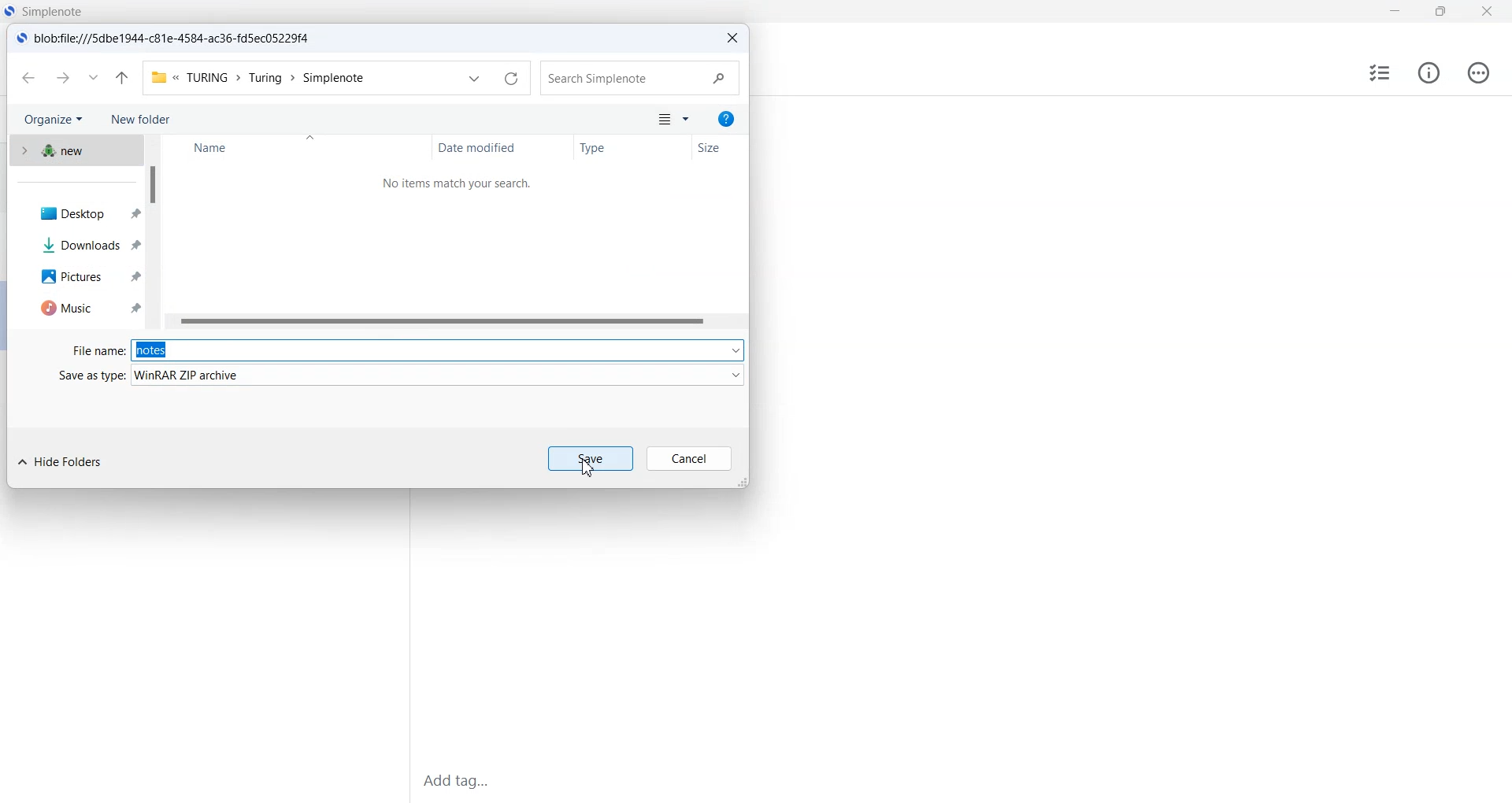 The image size is (1512, 803). What do you see at coordinates (44, 11) in the screenshot?
I see `Simplenote` at bounding box center [44, 11].